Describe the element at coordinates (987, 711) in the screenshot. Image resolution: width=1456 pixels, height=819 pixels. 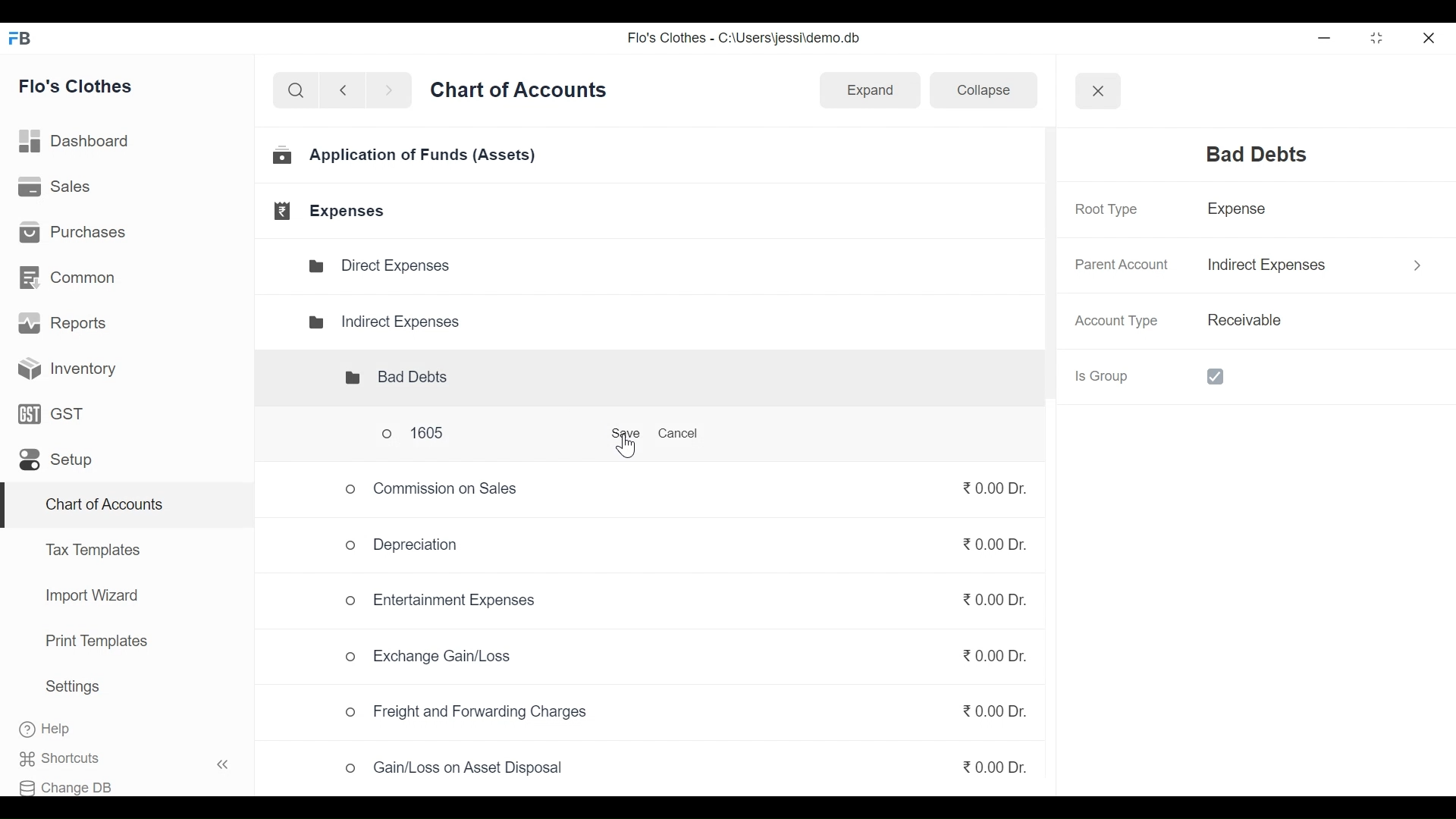
I see `₹0.00 Dr.` at that location.